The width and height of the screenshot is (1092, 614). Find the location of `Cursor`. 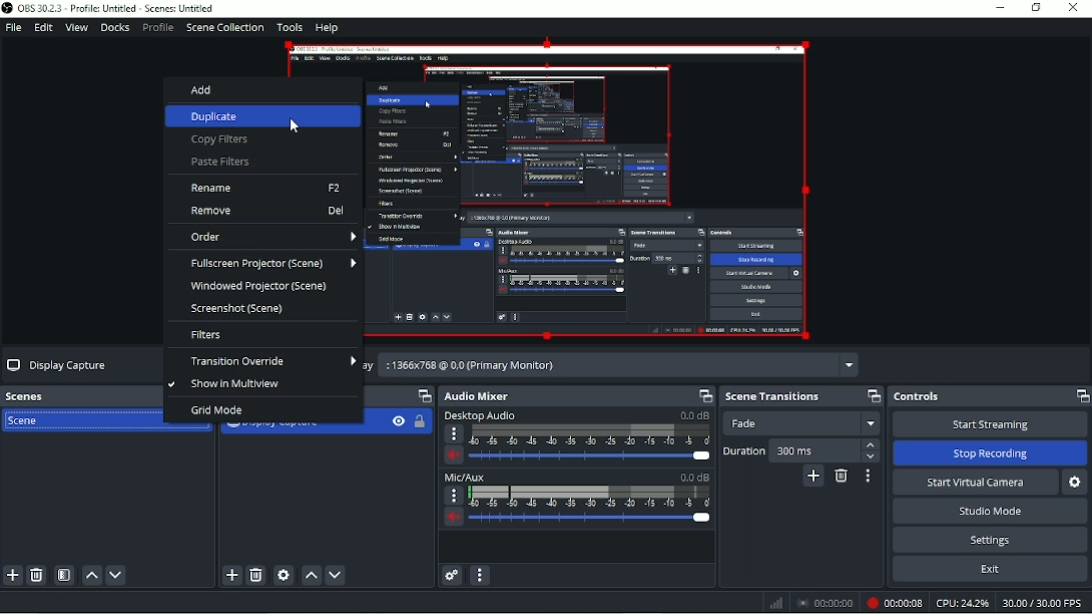

Cursor is located at coordinates (298, 126).